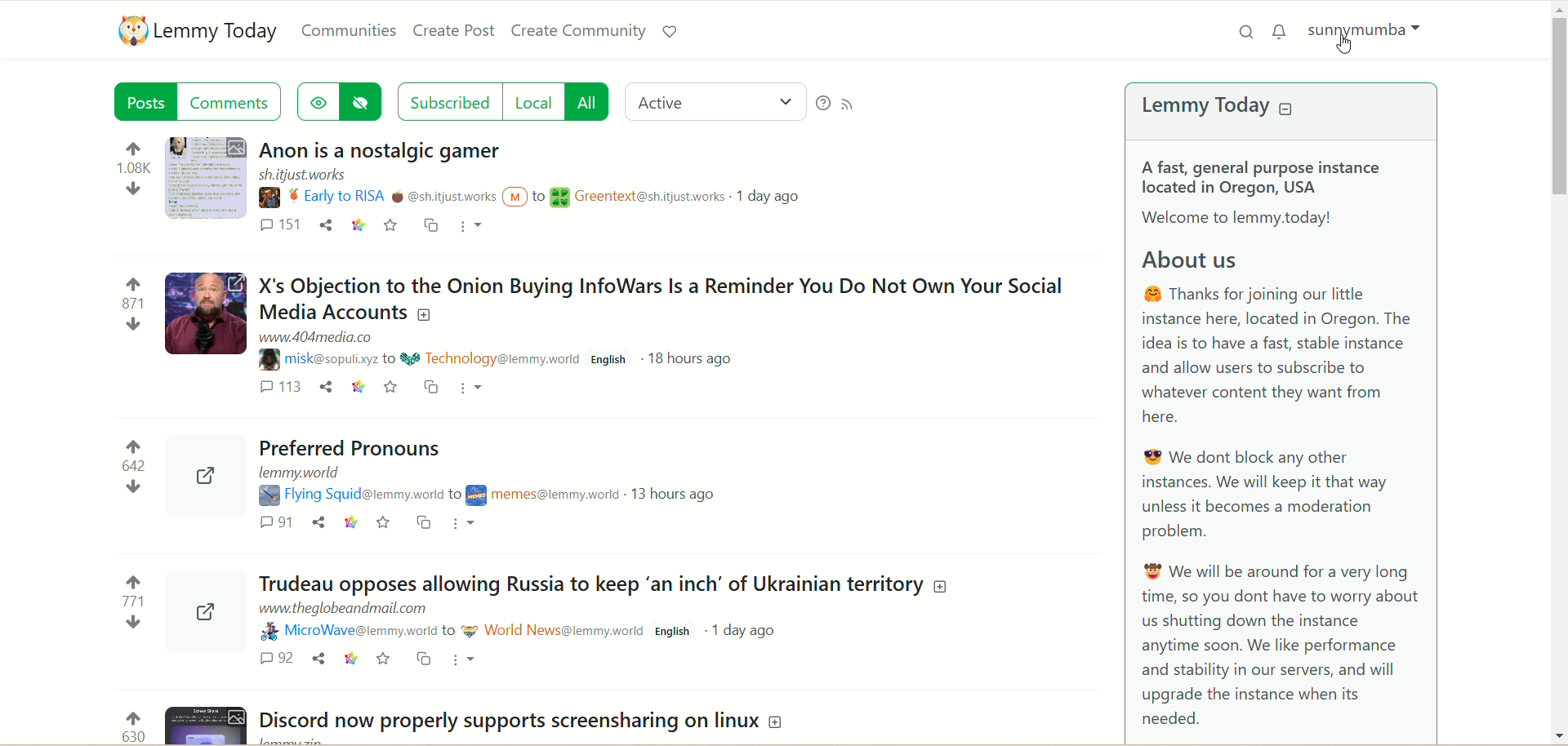  What do you see at coordinates (303, 175) in the screenshot?
I see `URL` at bounding box center [303, 175].